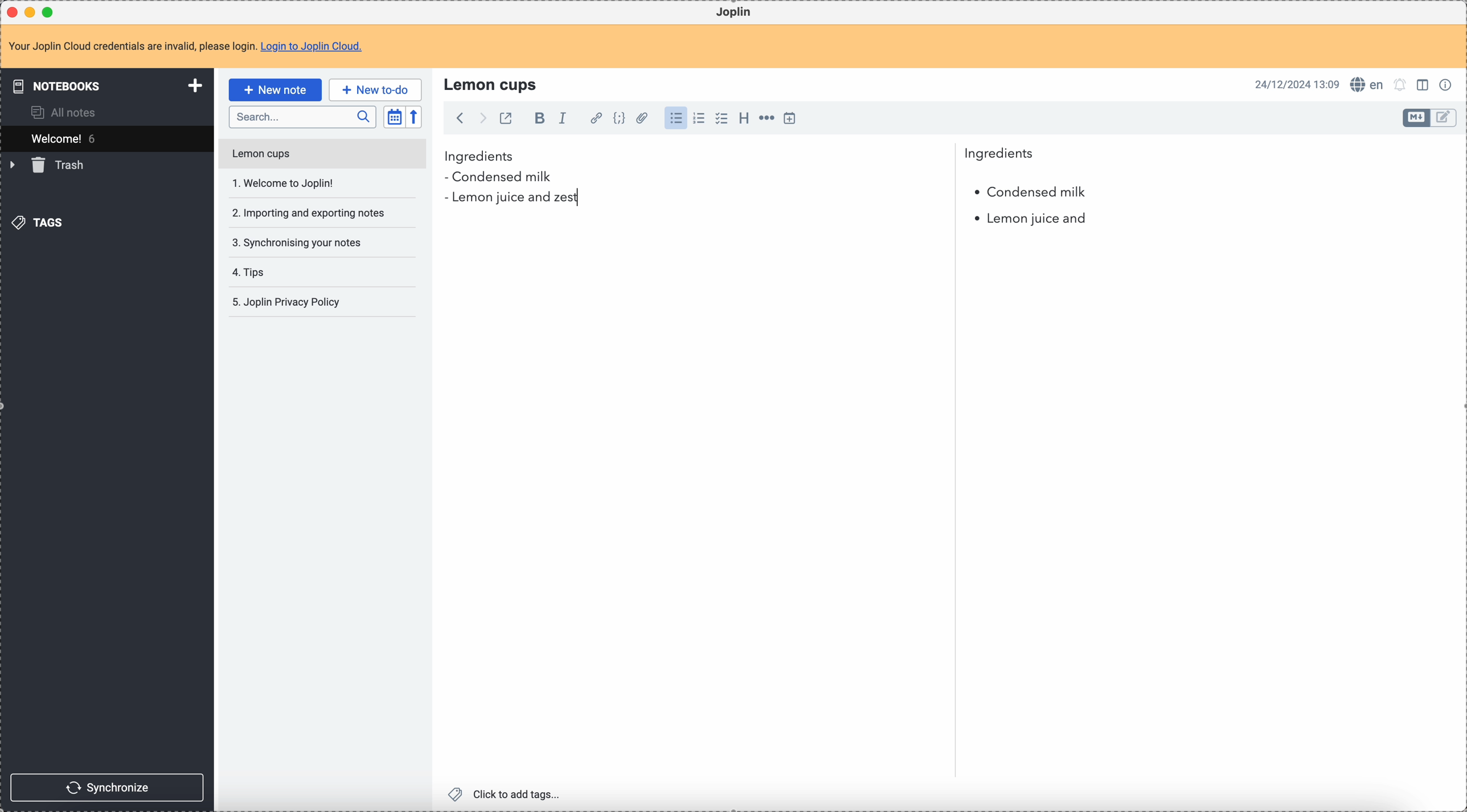 The height and width of the screenshot is (812, 1467). What do you see at coordinates (1424, 84) in the screenshot?
I see `toggle edit layout` at bounding box center [1424, 84].